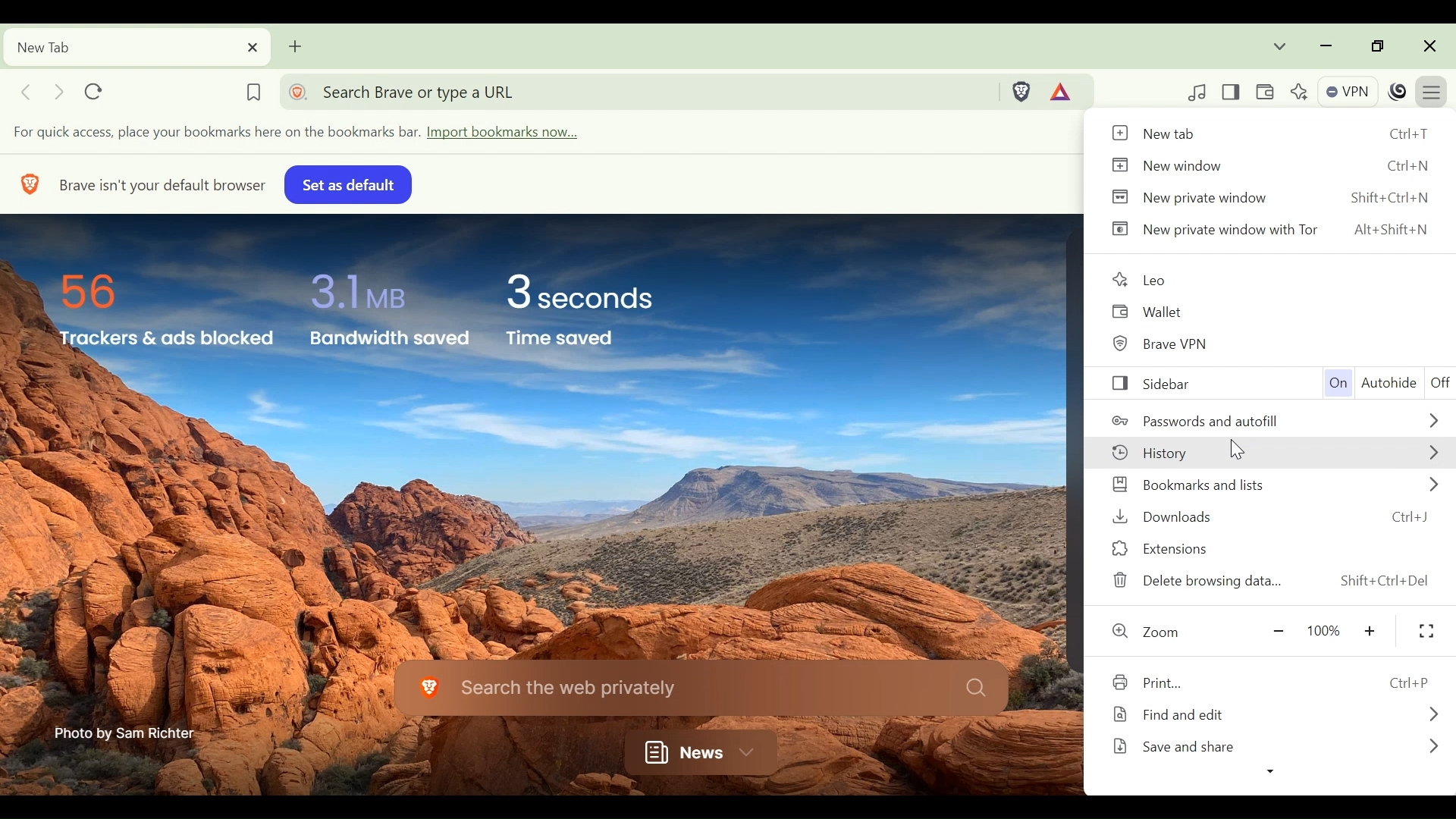 This screenshot has height=819, width=1456. Describe the element at coordinates (1373, 45) in the screenshot. I see `restore` at that location.